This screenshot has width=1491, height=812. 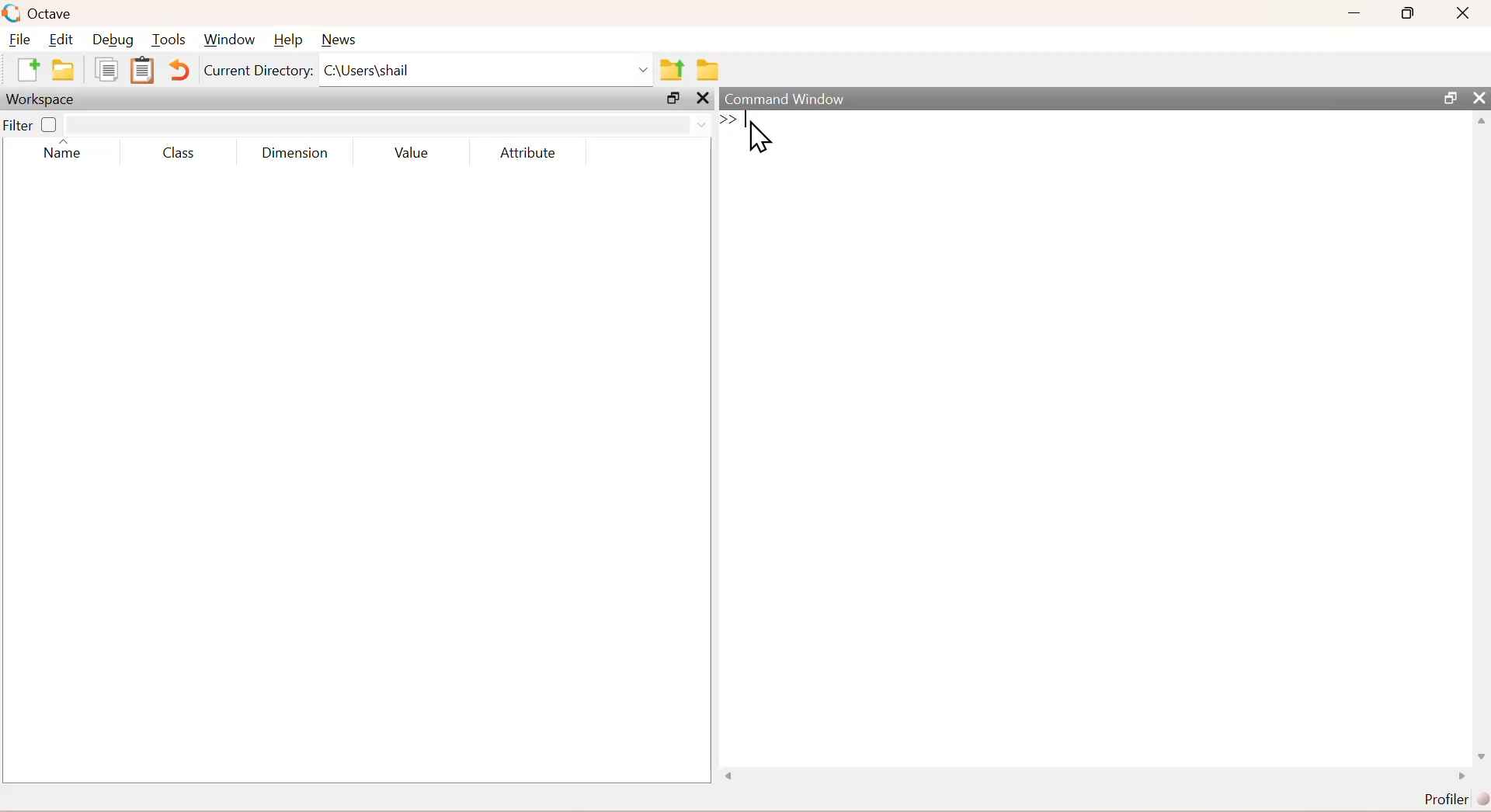 I want to click on New script, so click(x=26, y=73).